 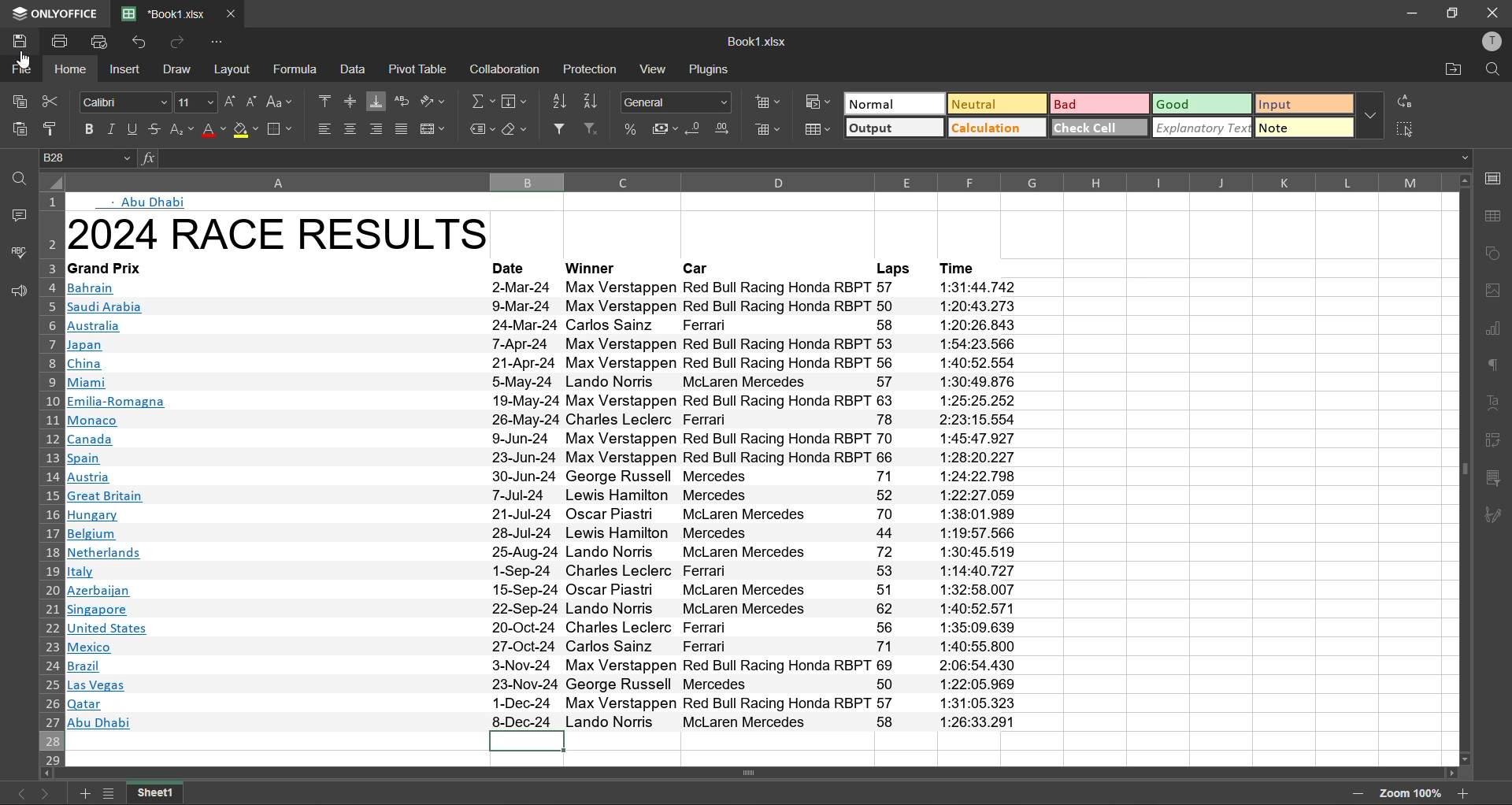 I want to click on align center, so click(x=351, y=129).